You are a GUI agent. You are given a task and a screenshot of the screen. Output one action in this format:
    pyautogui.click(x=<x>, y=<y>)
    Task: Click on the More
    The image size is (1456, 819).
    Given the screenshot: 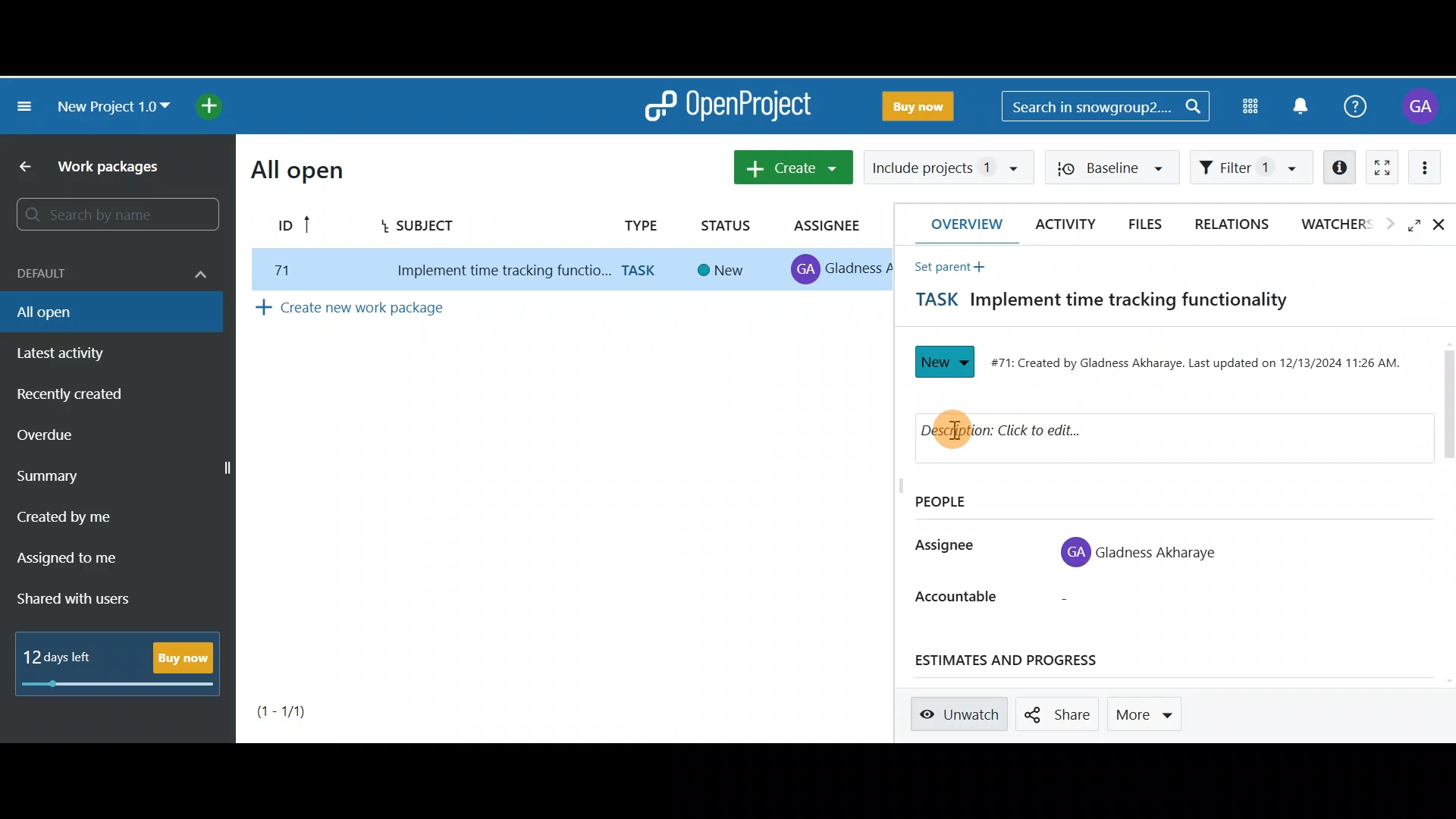 What is the action you would take?
    pyautogui.click(x=1150, y=711)
    